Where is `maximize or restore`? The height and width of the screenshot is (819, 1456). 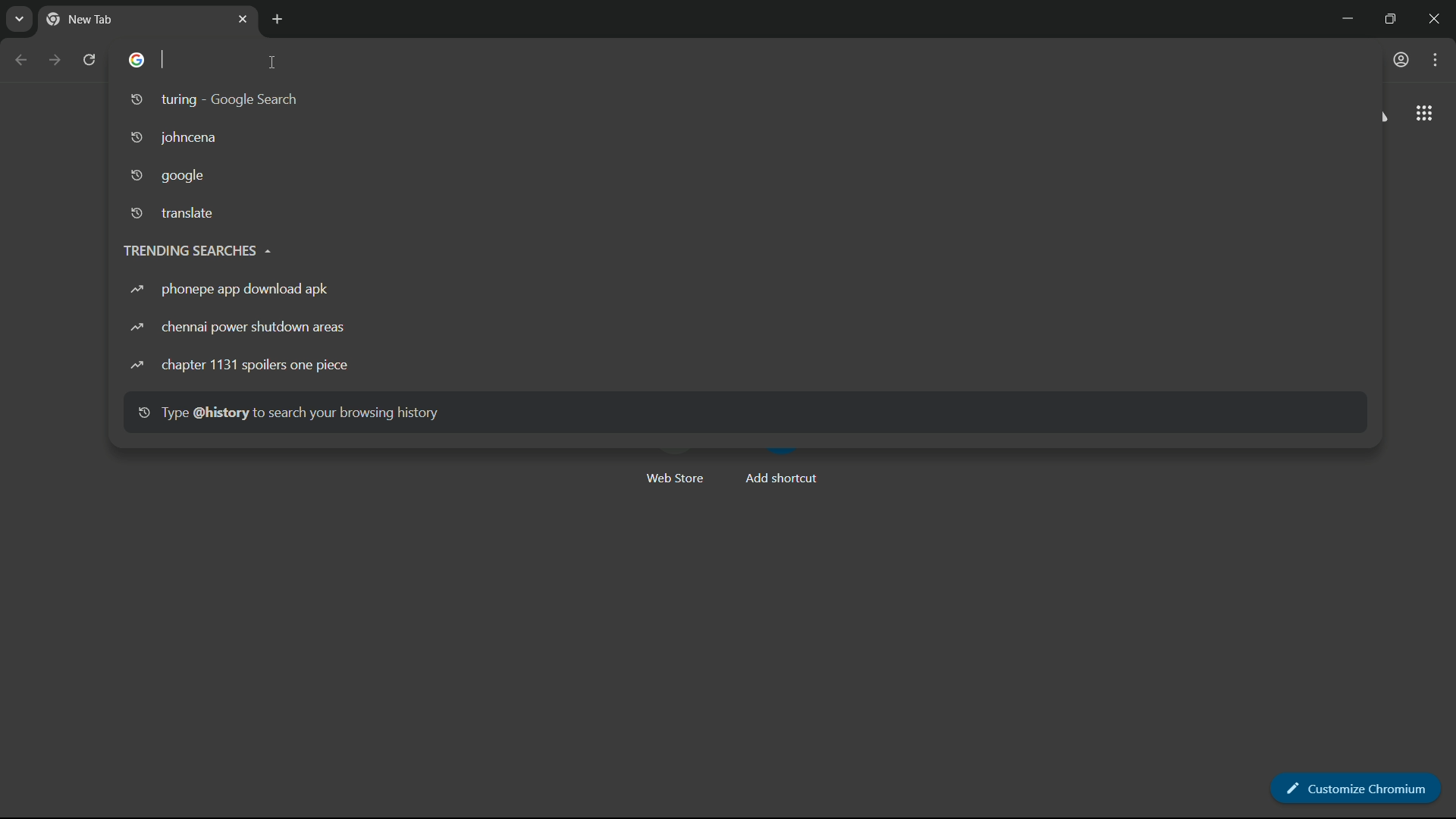 maximize or restore is located at coordinates (1393, 19).